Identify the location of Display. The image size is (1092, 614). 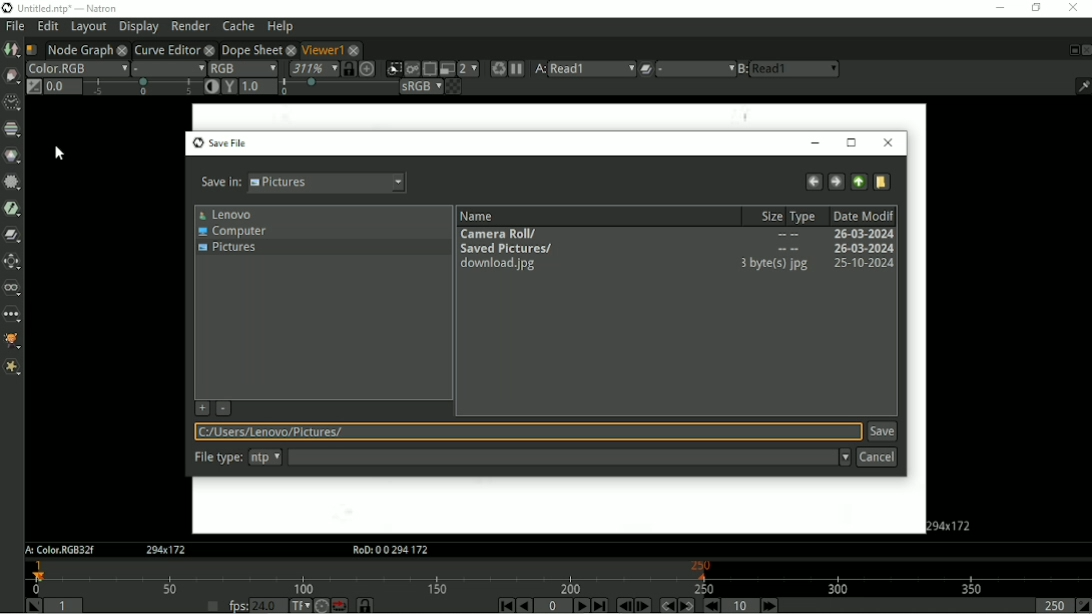
(139, 27).